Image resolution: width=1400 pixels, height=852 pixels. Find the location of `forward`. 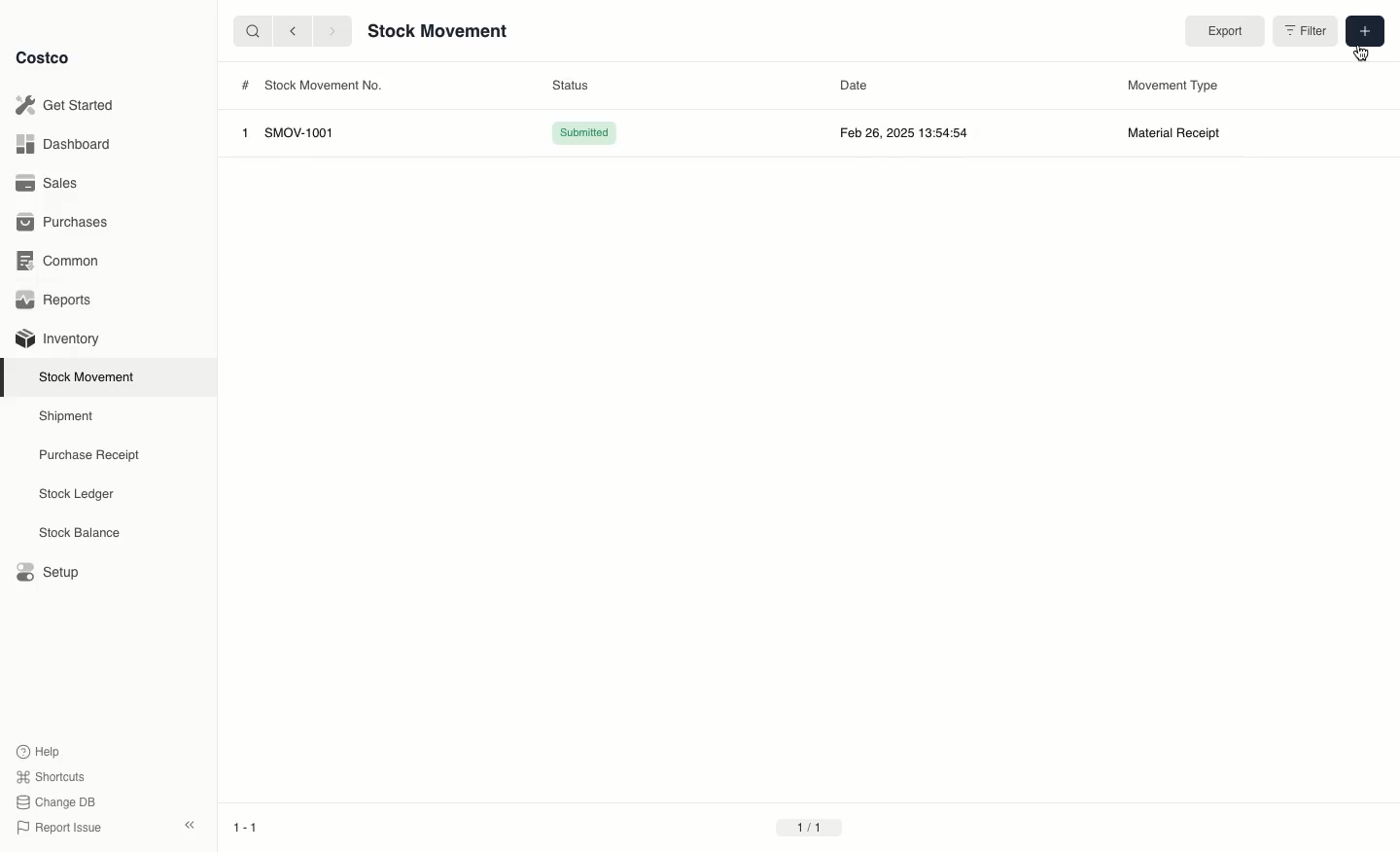

forward is located at coordinates (328, 30).